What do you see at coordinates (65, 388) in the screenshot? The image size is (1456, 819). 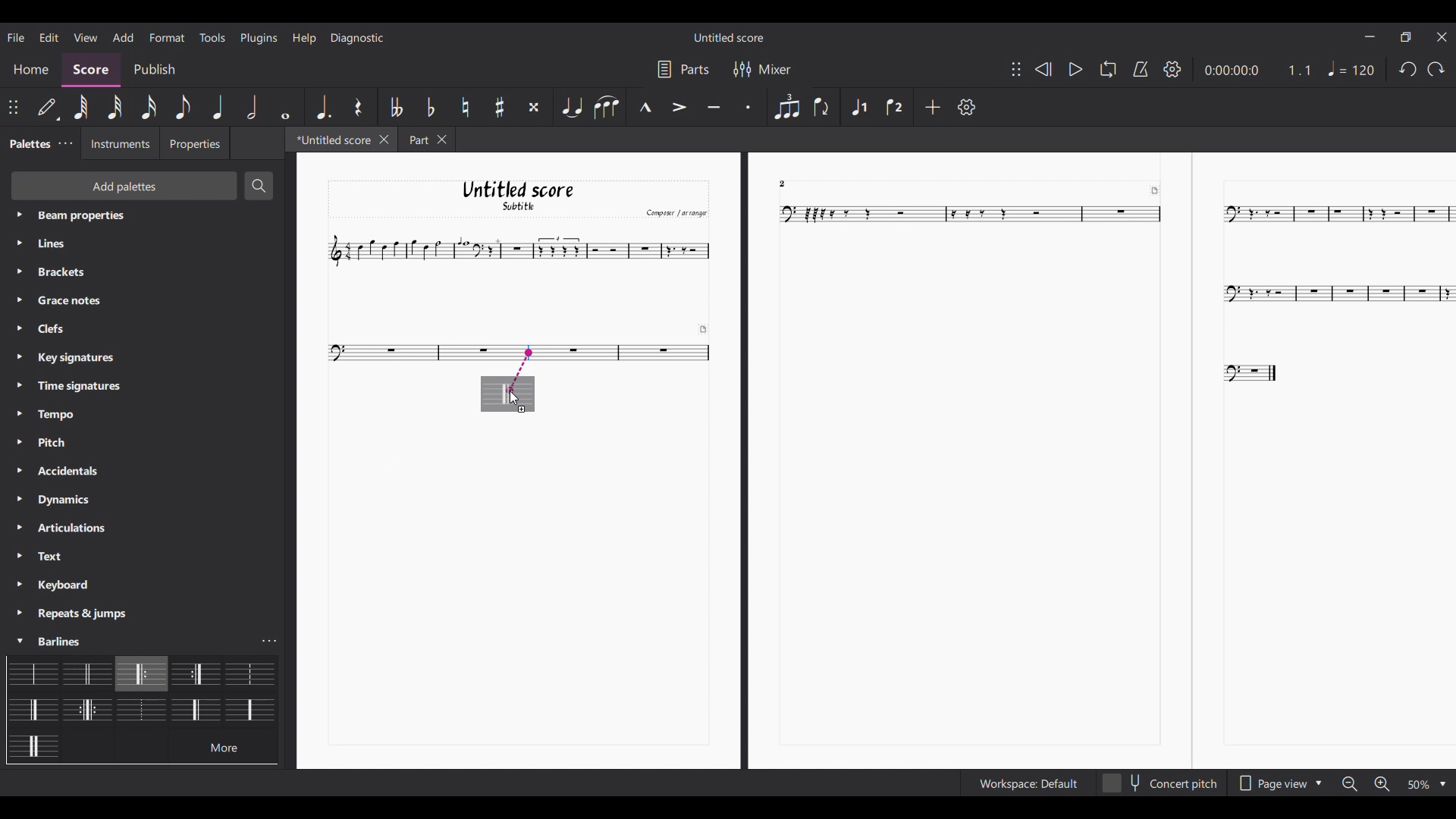 I see `Palette settings` at bounding box center [65, 388].